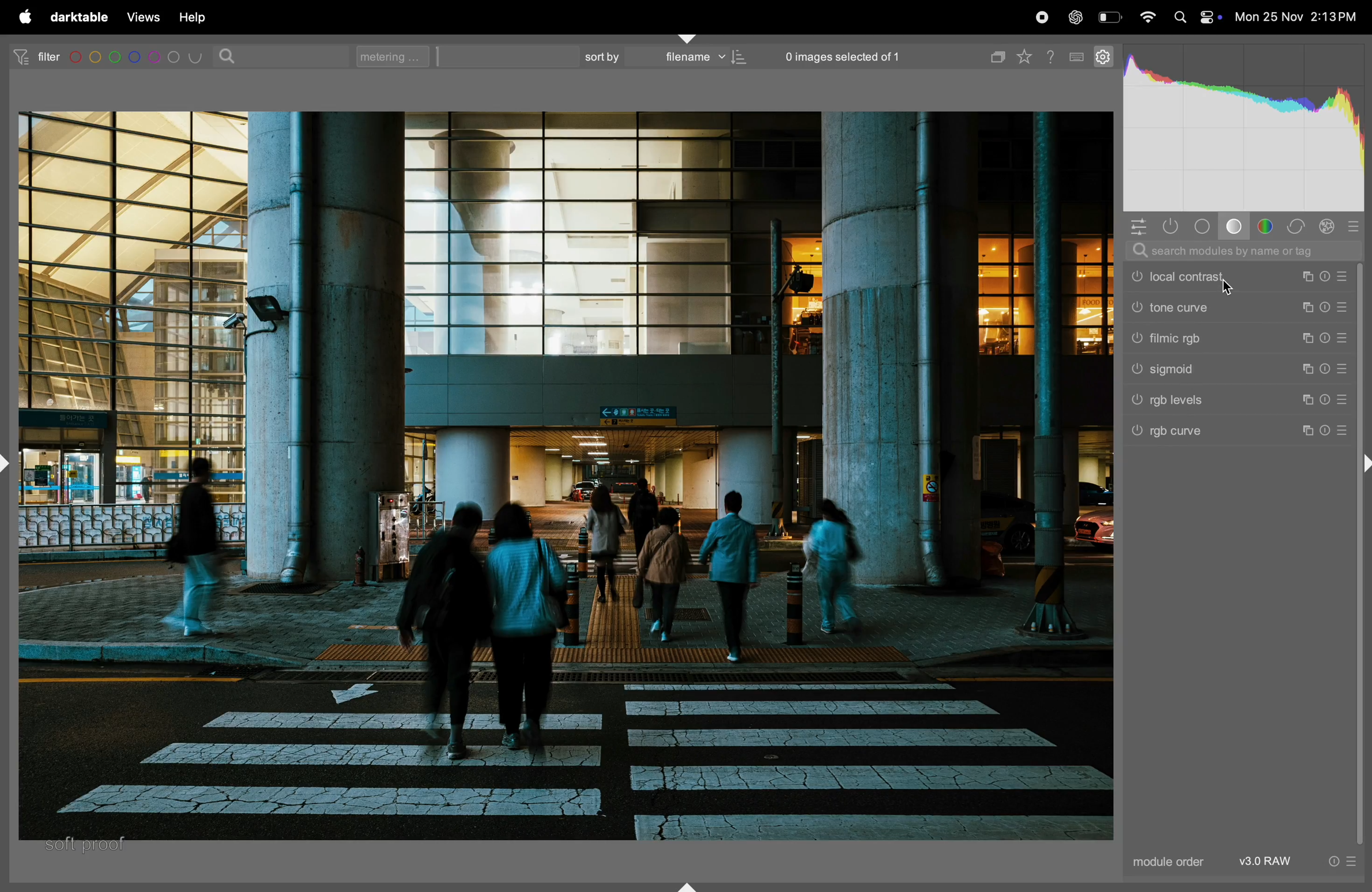 This screenshot has width=1372, height=892. Describe the element at coordinates (22, 17) in the screenshot. I see `apple menu` at that location.